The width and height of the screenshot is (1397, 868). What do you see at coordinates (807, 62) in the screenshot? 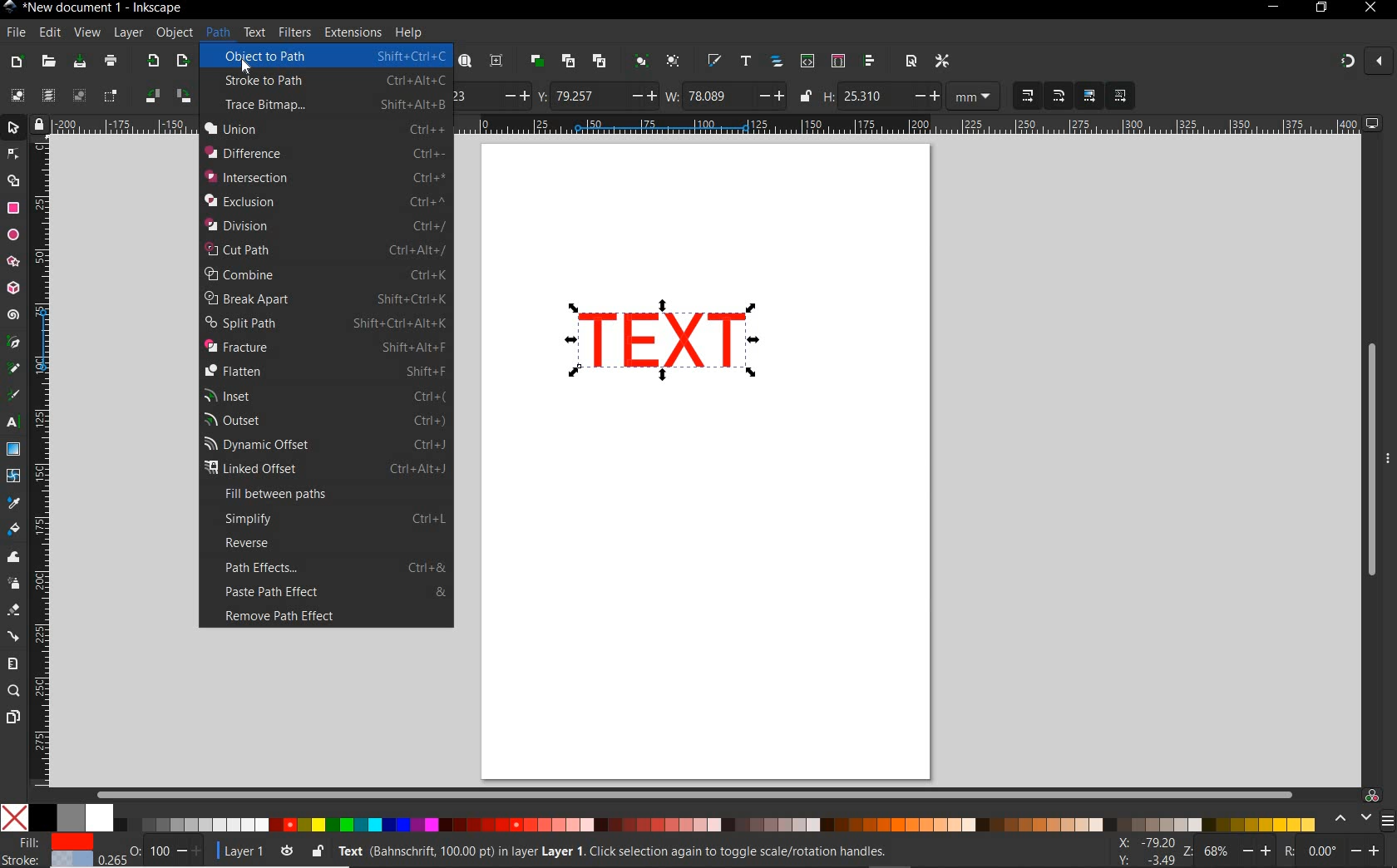
I see `OPEN XML EDITOR` at bounding box center [807, 62].